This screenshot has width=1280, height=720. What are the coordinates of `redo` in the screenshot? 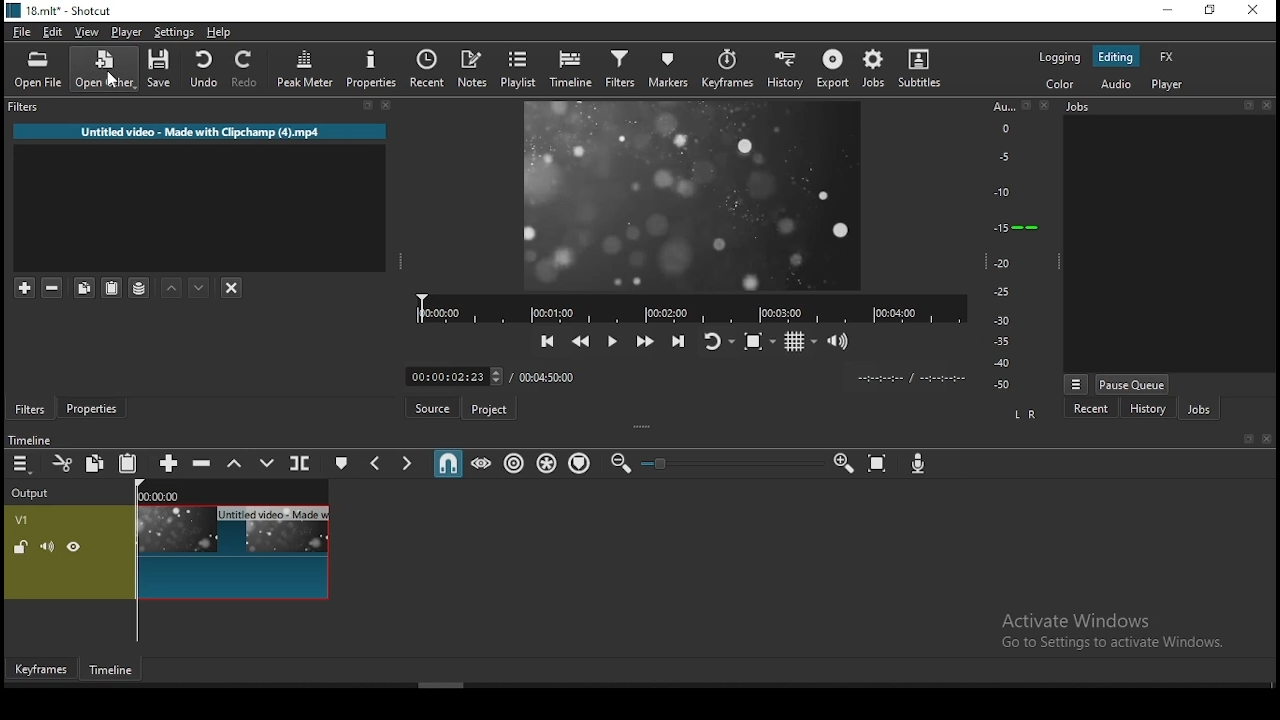 It's located at (247, 69).